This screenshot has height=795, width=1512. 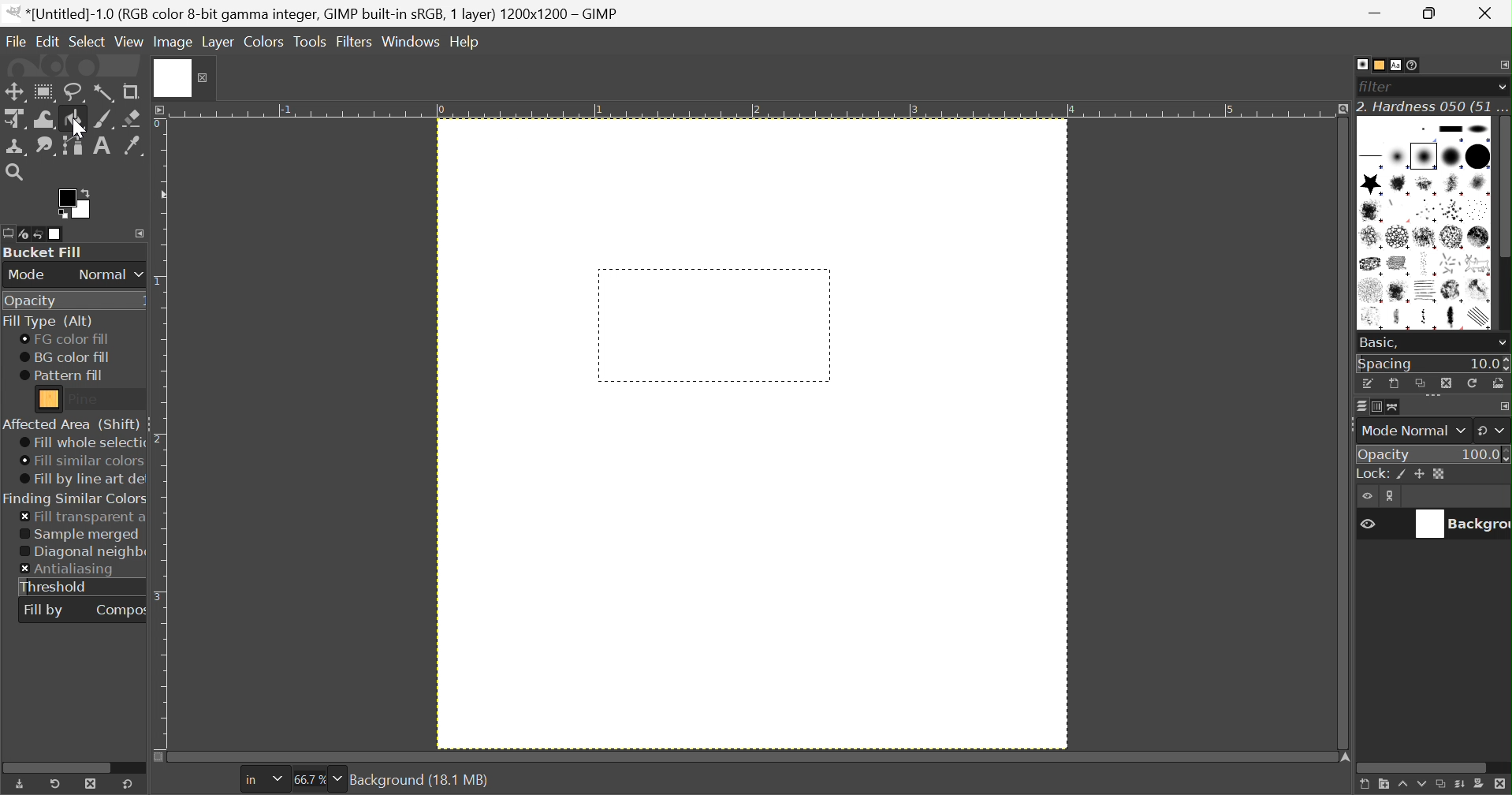 What do you see at coordinates (1362, 786) in the screenshot?
I see `Create a new layer and add it to the image` at bounding box center [1362, 786].